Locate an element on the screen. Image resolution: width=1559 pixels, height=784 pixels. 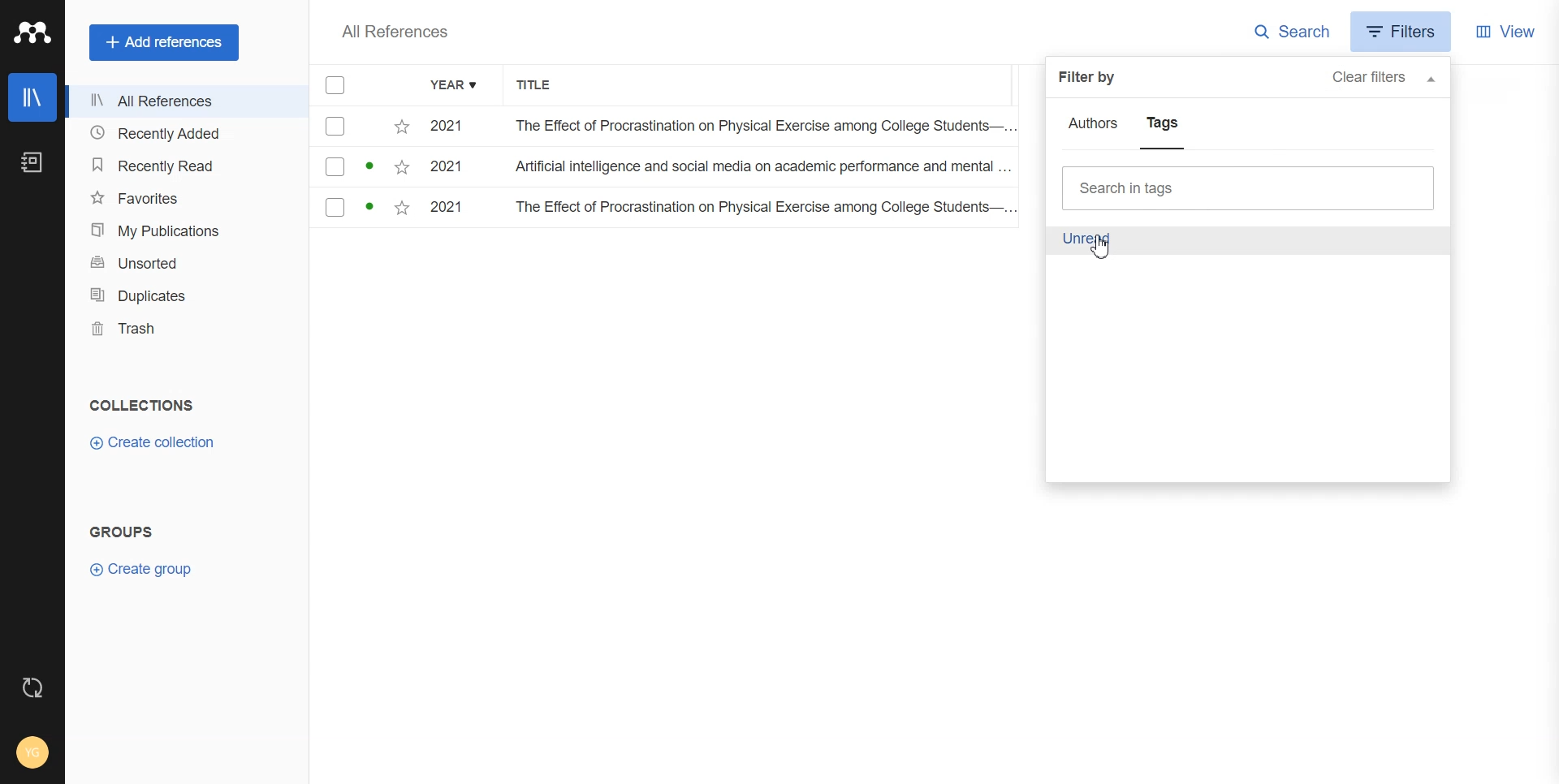
Unsorted is located at coordinates (185, 261).